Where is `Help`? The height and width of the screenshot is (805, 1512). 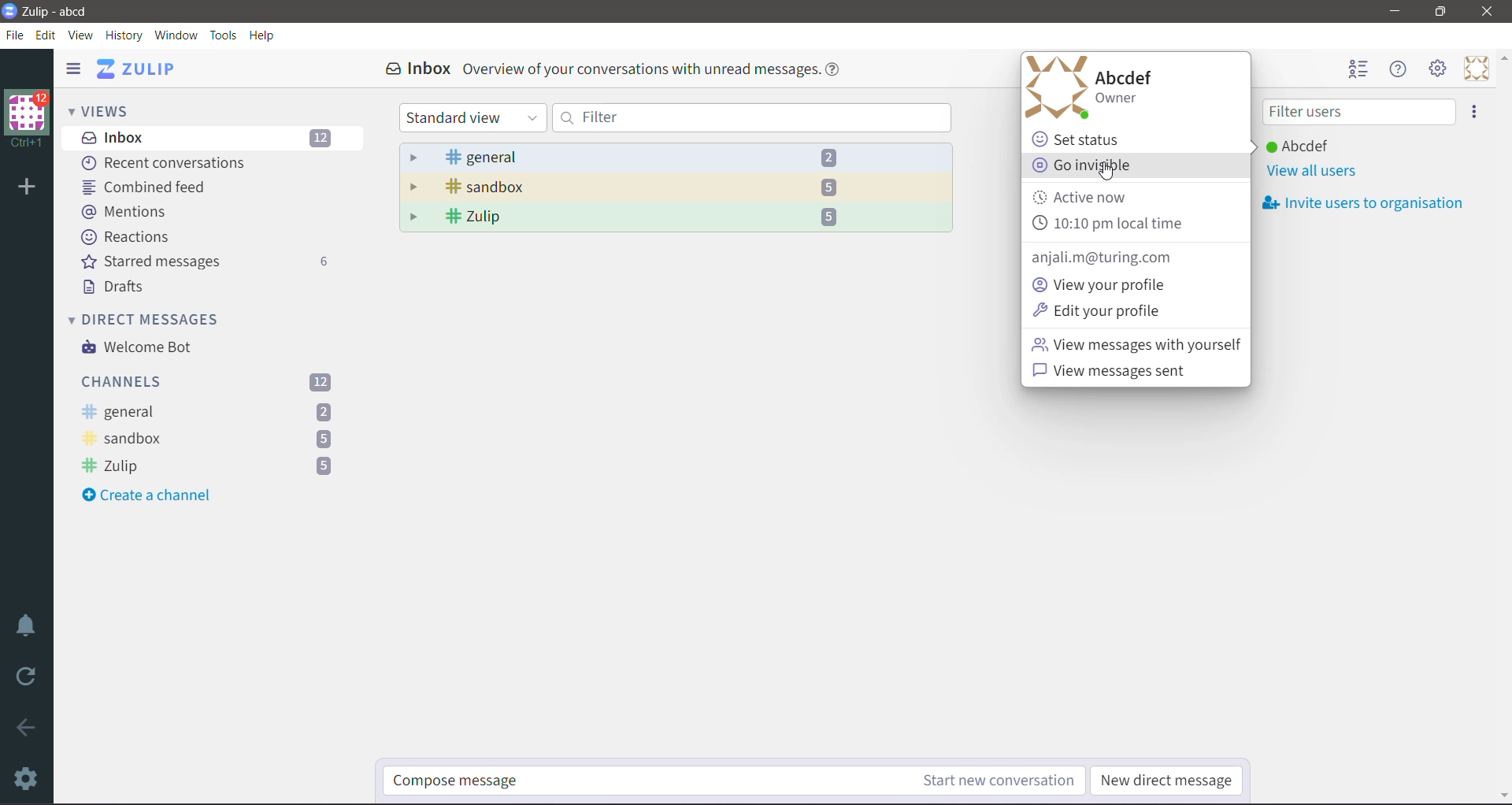
Help is located at coordinates (265, 35).